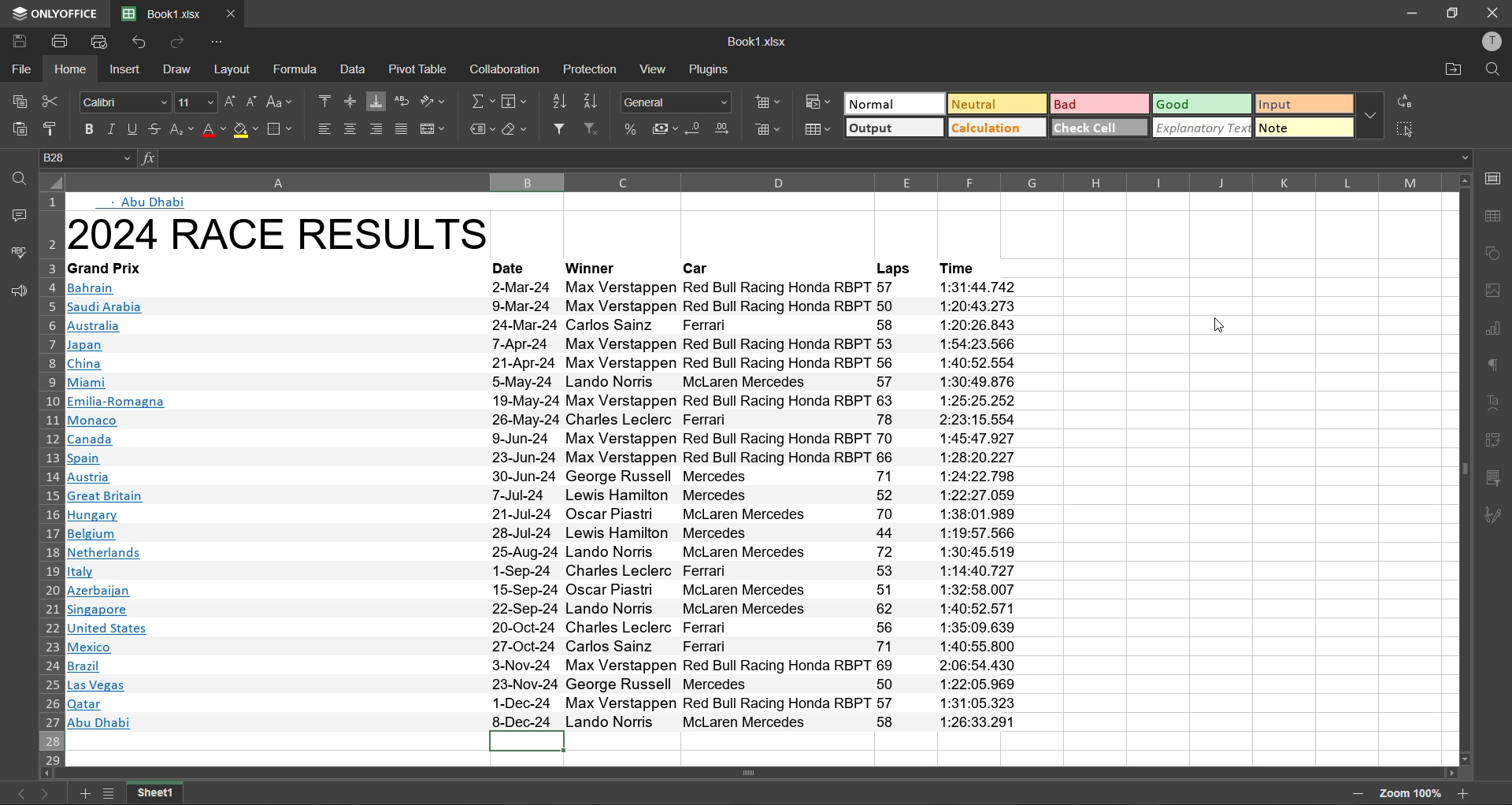 This screenshot has width=1512, height=805. Describe the element at coordinates (695, 268) in the screenshot. I see `Car` at that location.